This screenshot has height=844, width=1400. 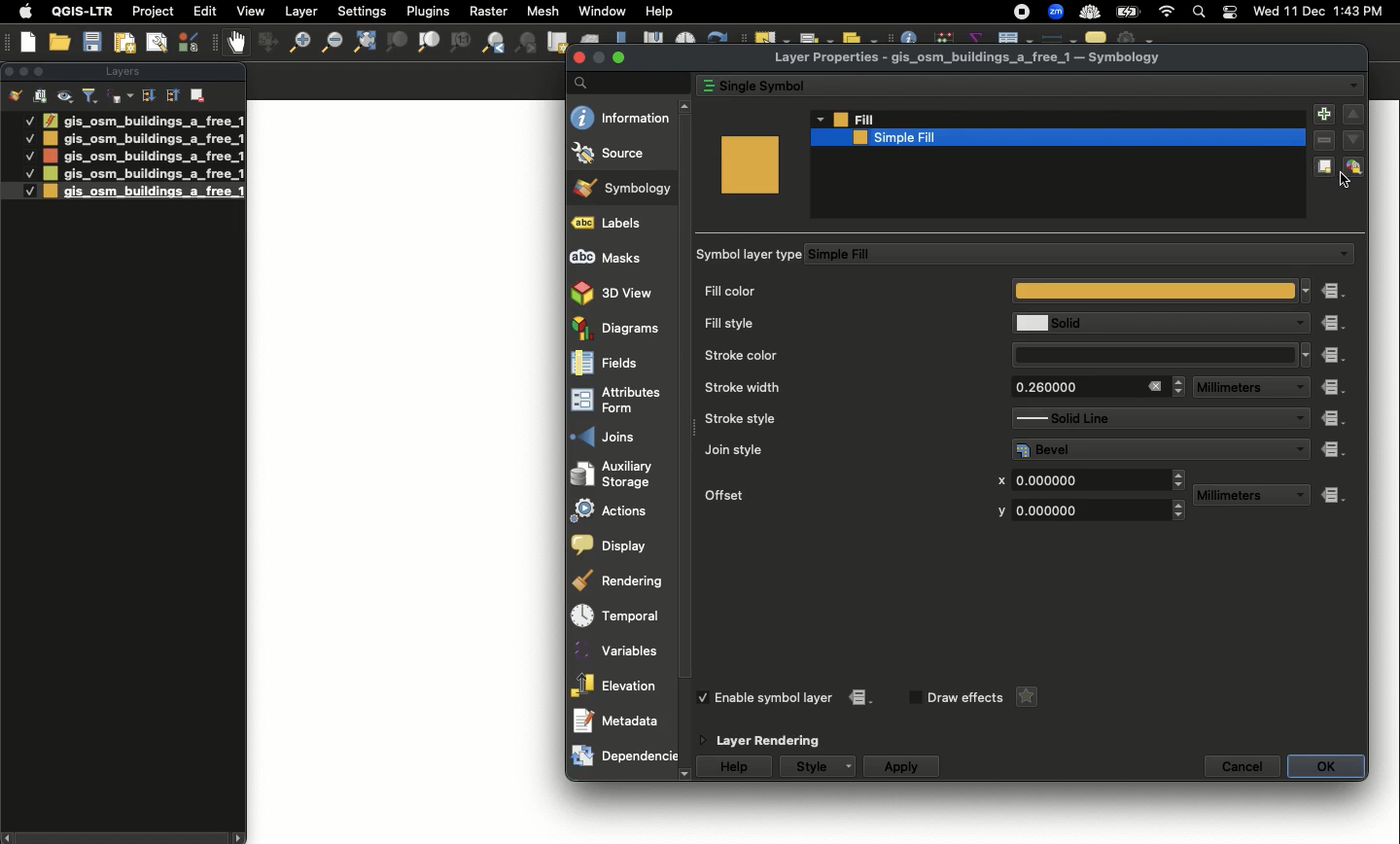 I want to click on Filter legend by expression, so click(x=121, y=96).